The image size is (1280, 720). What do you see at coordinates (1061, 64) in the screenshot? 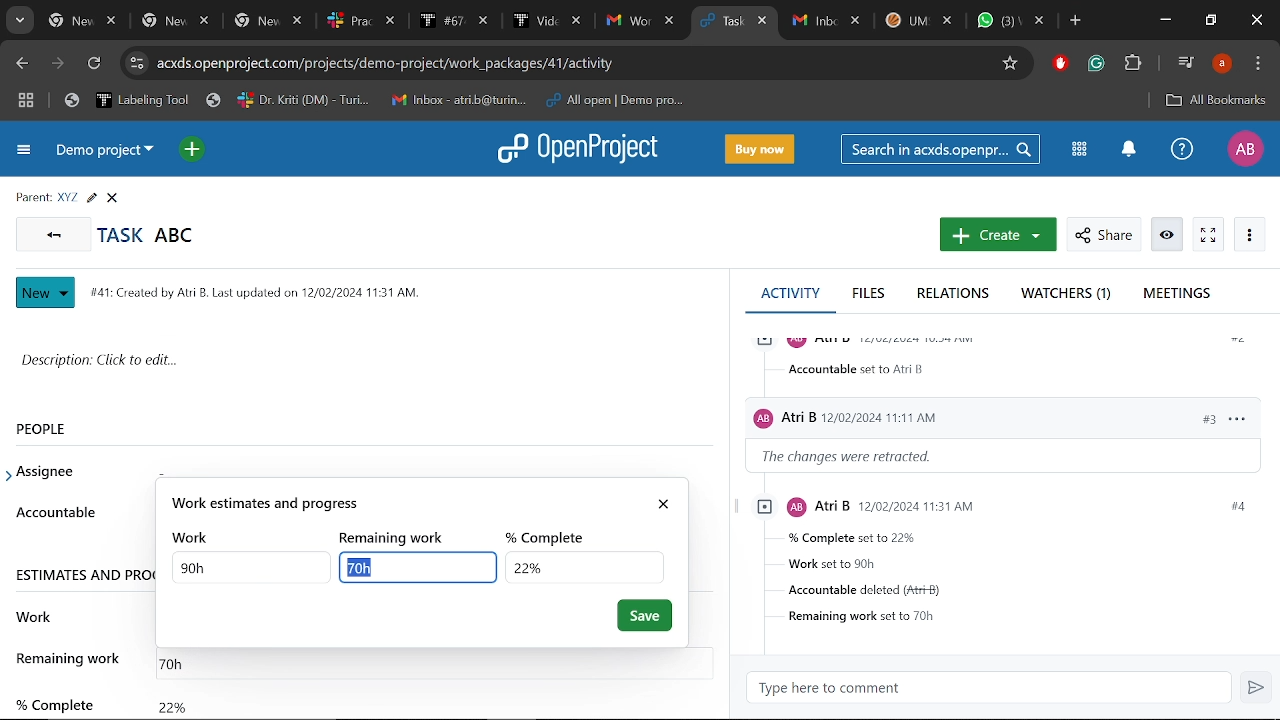
I see `Addblock` at bounding box center [1061, 64].